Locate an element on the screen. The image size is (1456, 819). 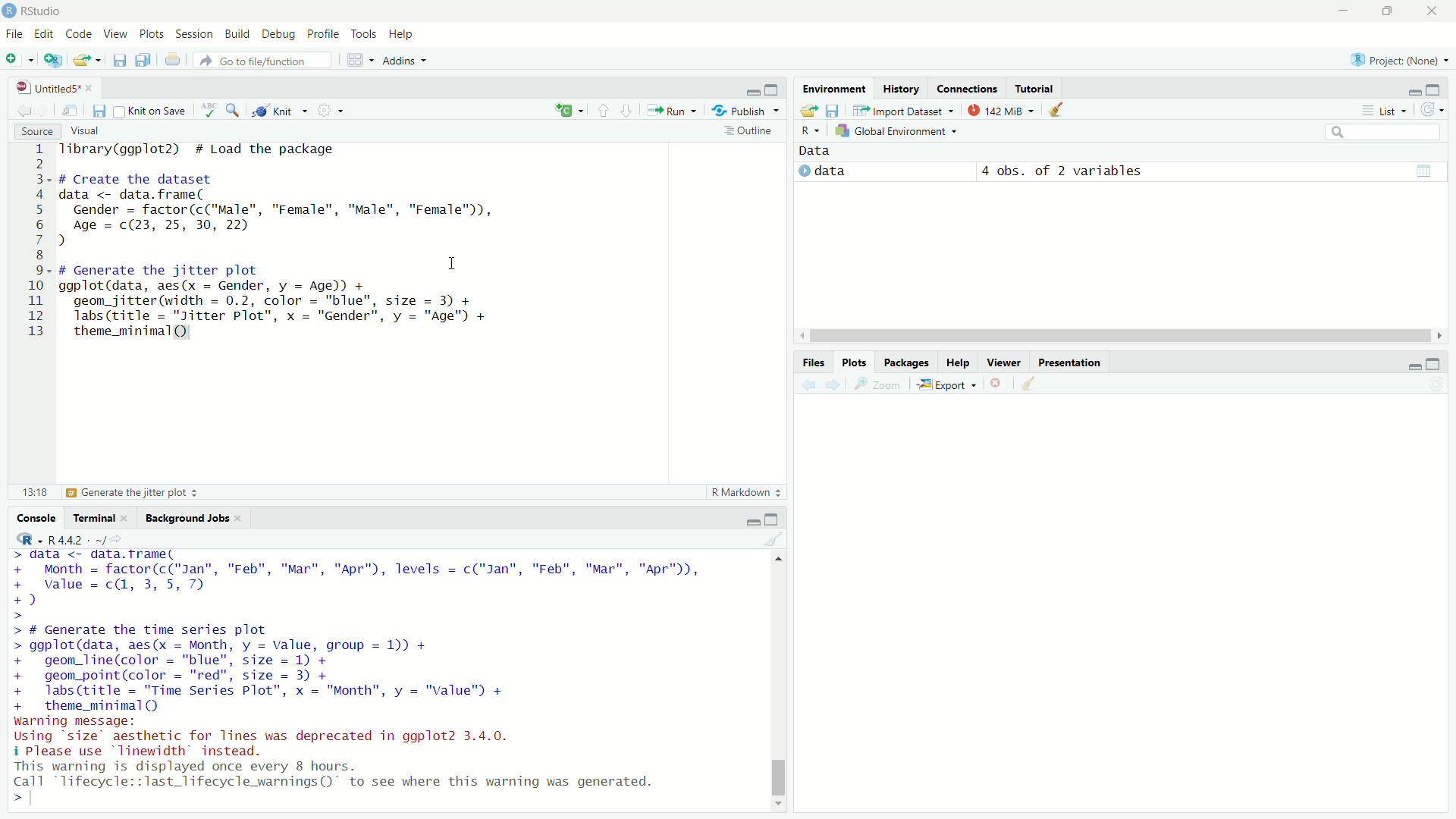
142 MiB is located at coordinates (1004, 111).